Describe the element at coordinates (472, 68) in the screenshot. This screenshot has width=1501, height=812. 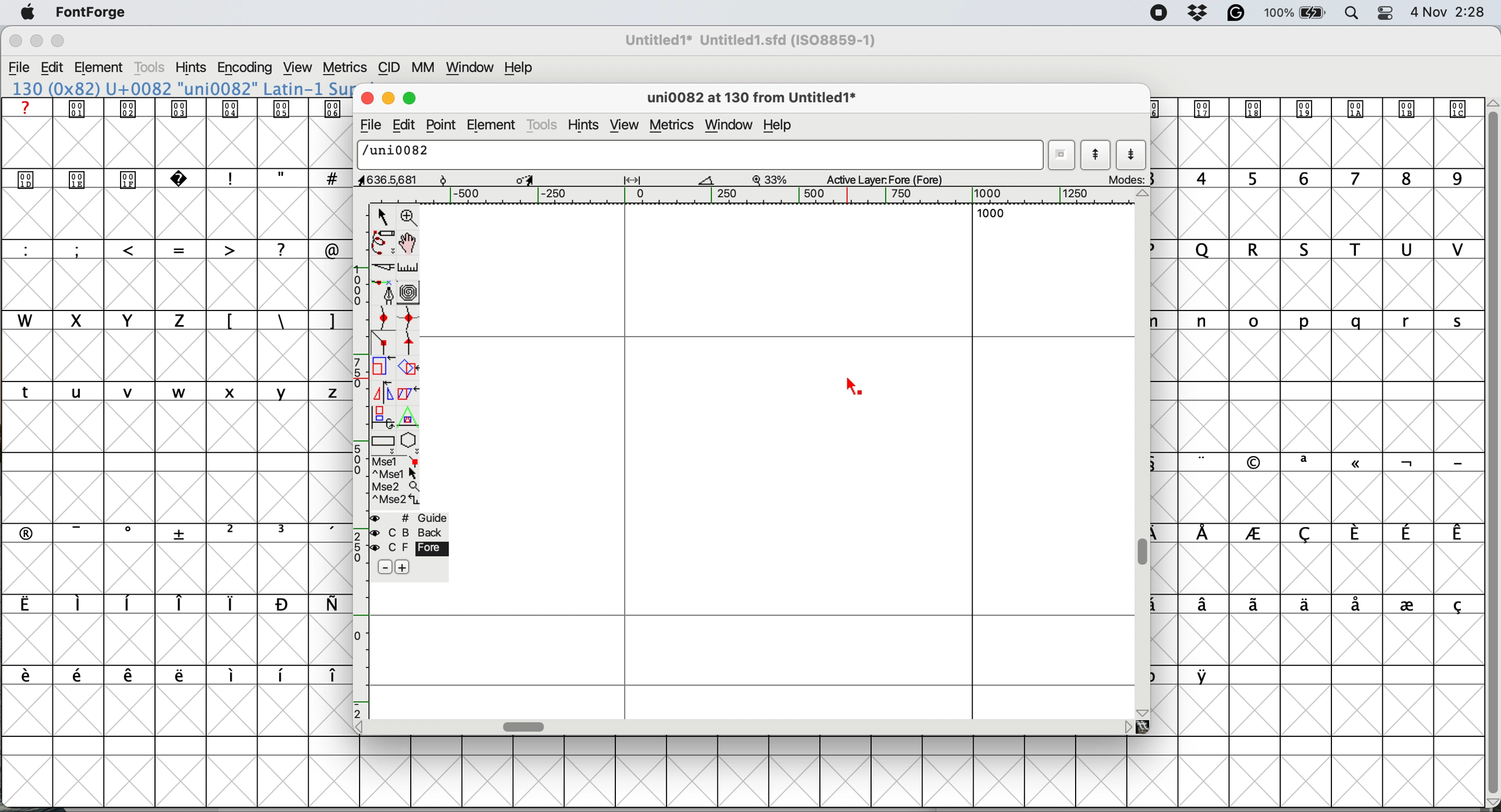
I see `window` at that location.